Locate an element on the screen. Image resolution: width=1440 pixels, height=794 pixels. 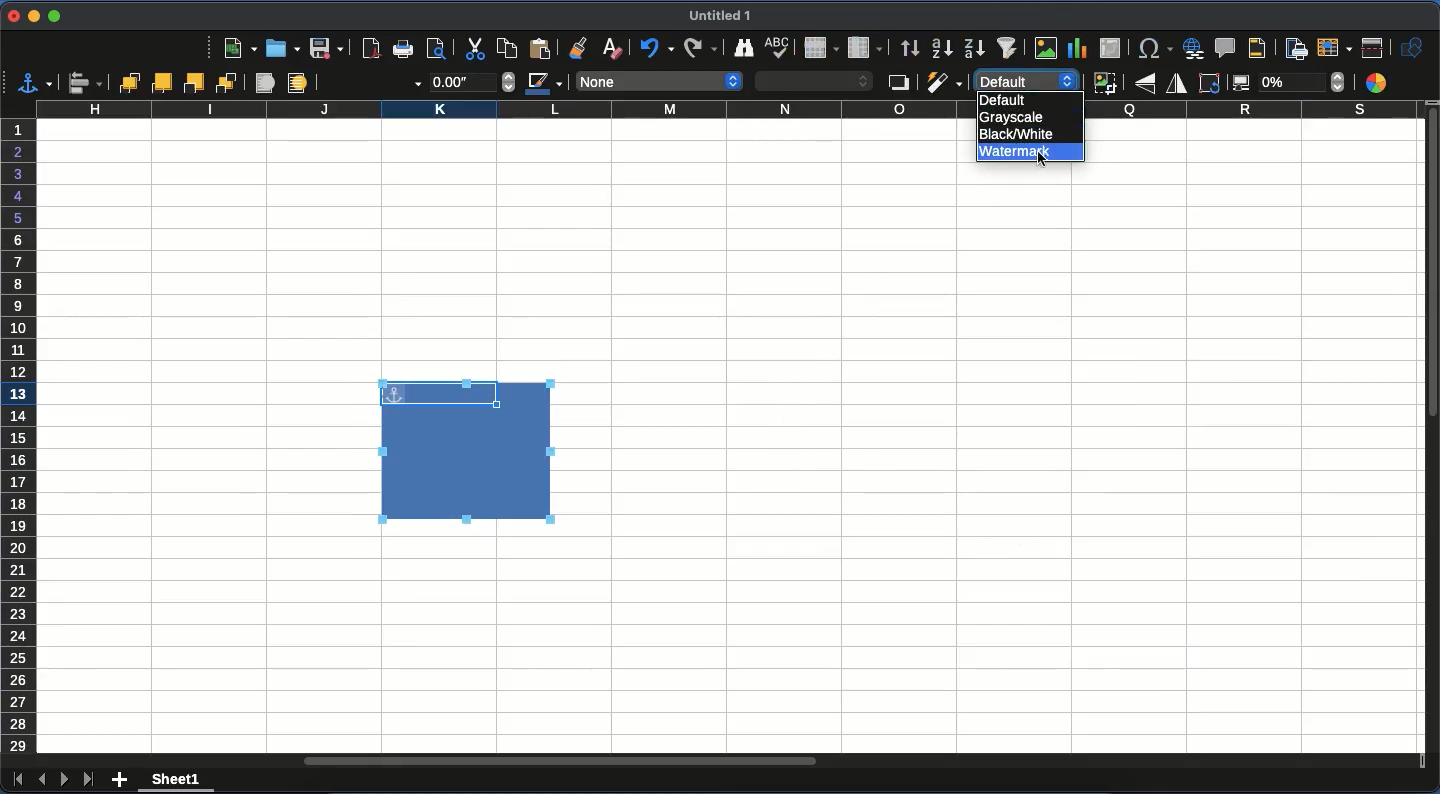
filter is located at coordinates (944, 82).